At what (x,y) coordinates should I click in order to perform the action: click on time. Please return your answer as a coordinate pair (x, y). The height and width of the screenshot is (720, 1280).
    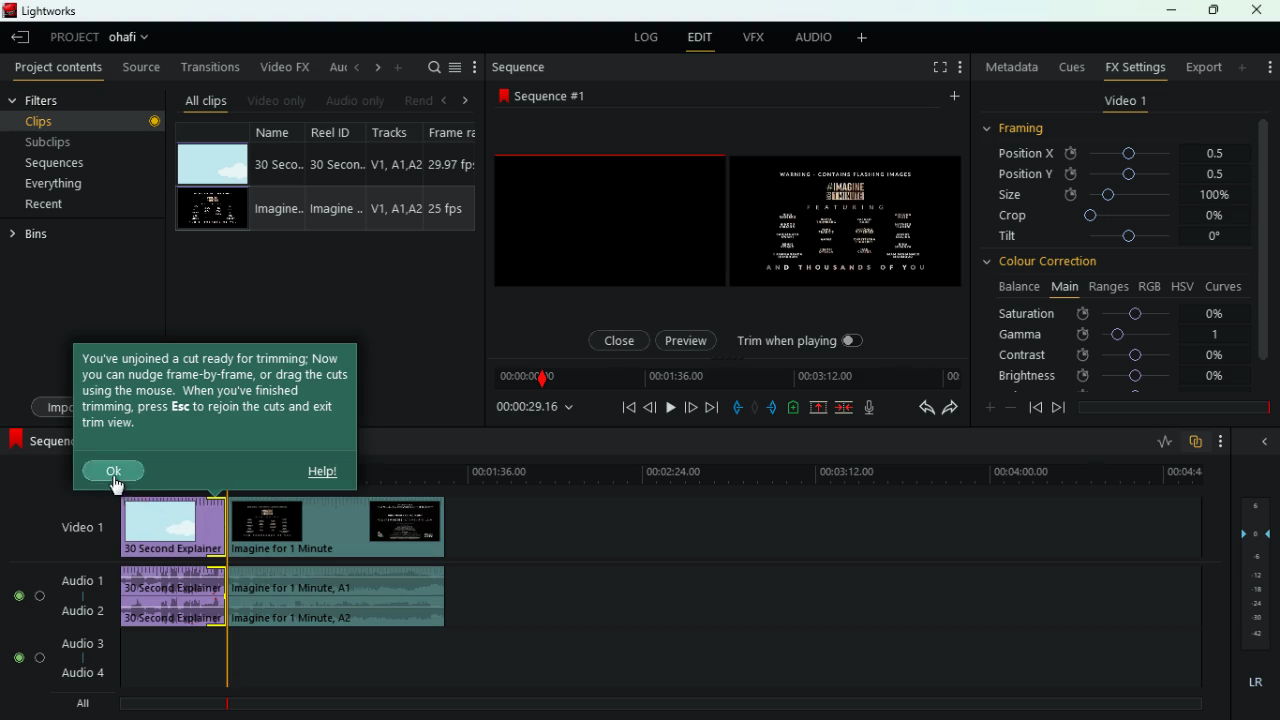
    Looking at the image, I should click on (786, 472).